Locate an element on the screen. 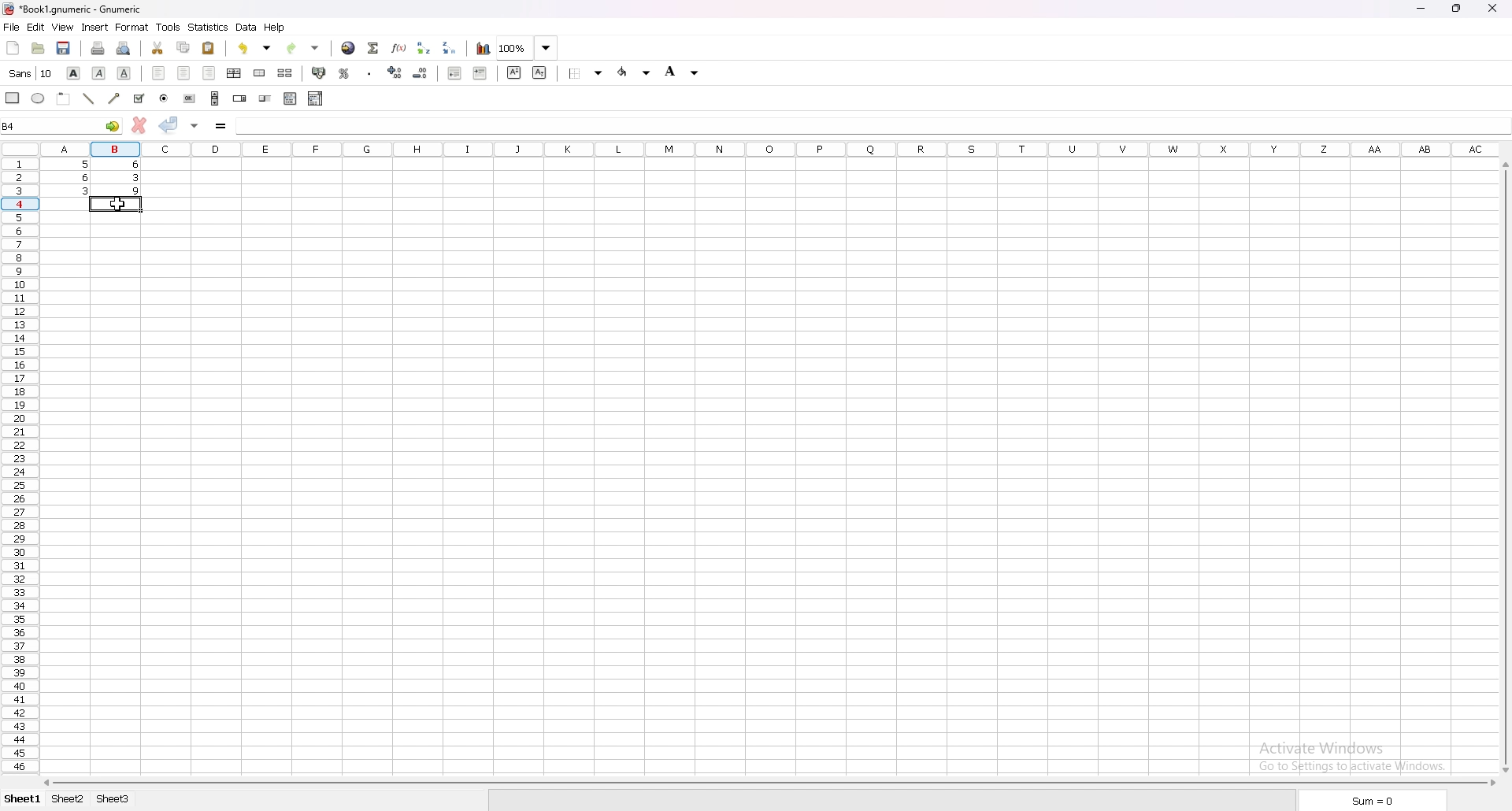 This screenshot has height=811, width=1512. scroll bar is located at coordinates (766, 781).